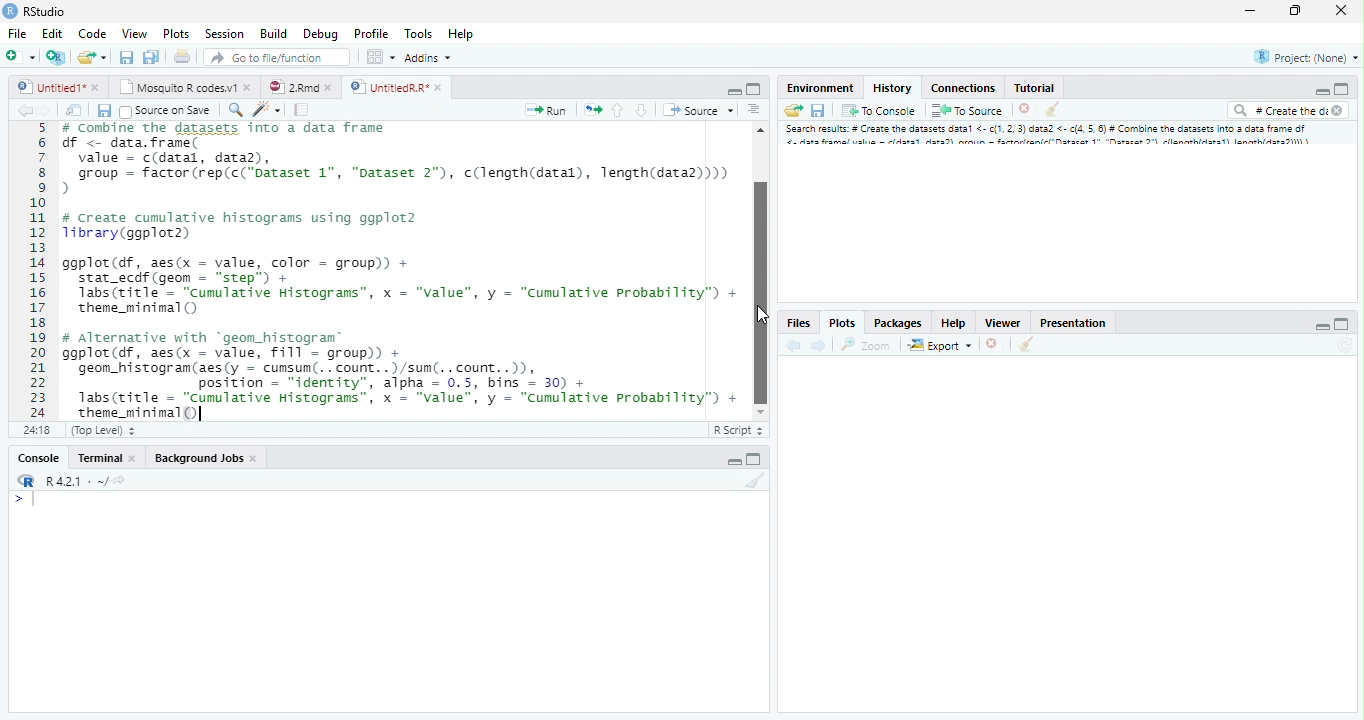  What do you see at coordinates (1035, 88) in the screenshot?
I see `Tutorial` at bounding box center [1035, 88].